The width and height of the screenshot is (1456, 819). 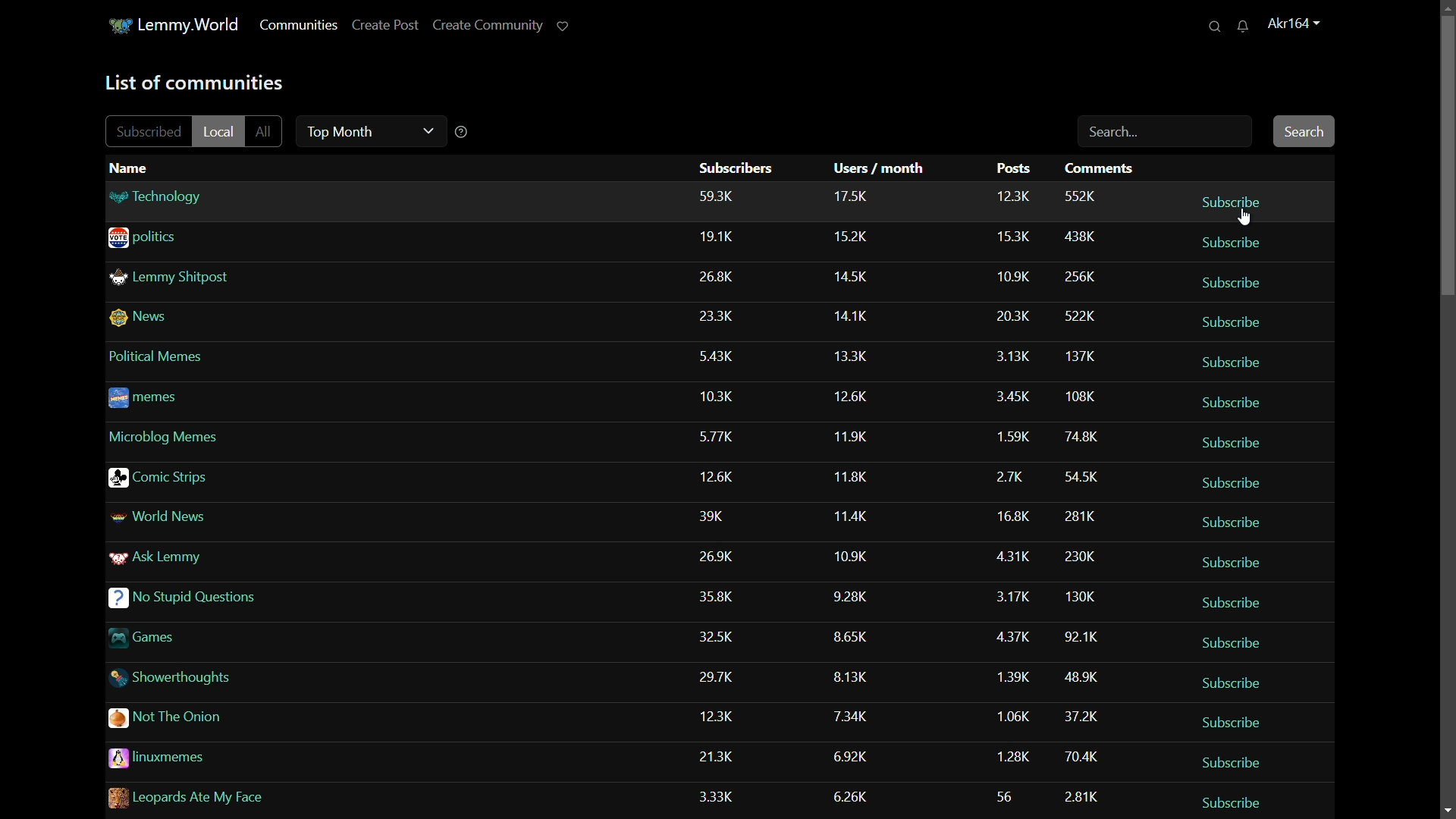 What do you see at coordinates (717, 435) in the screenshot?
I see `` at bounding box center [717, 435].